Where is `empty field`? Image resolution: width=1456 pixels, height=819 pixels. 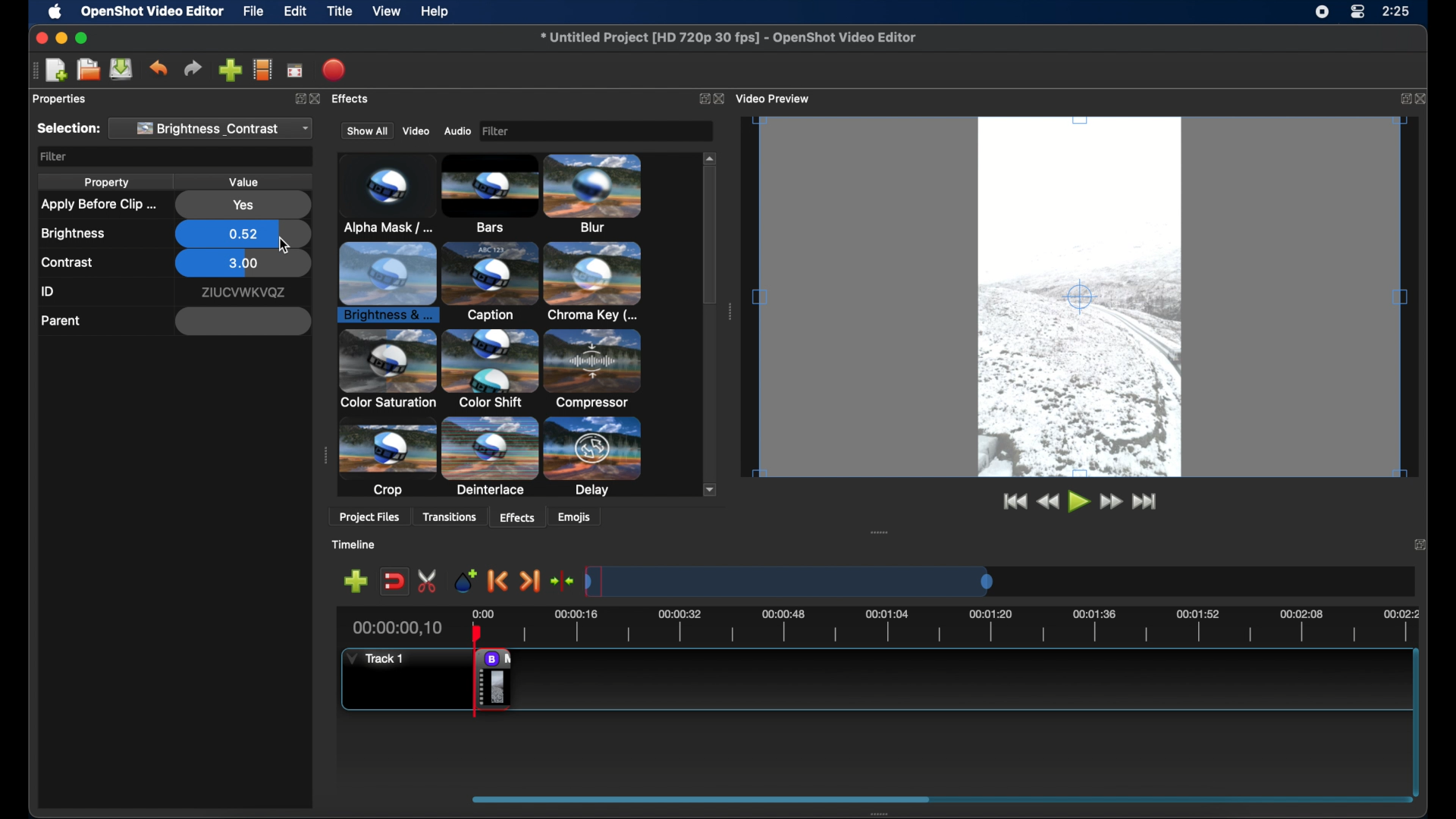 empty field is located at coordinates (243, 322).